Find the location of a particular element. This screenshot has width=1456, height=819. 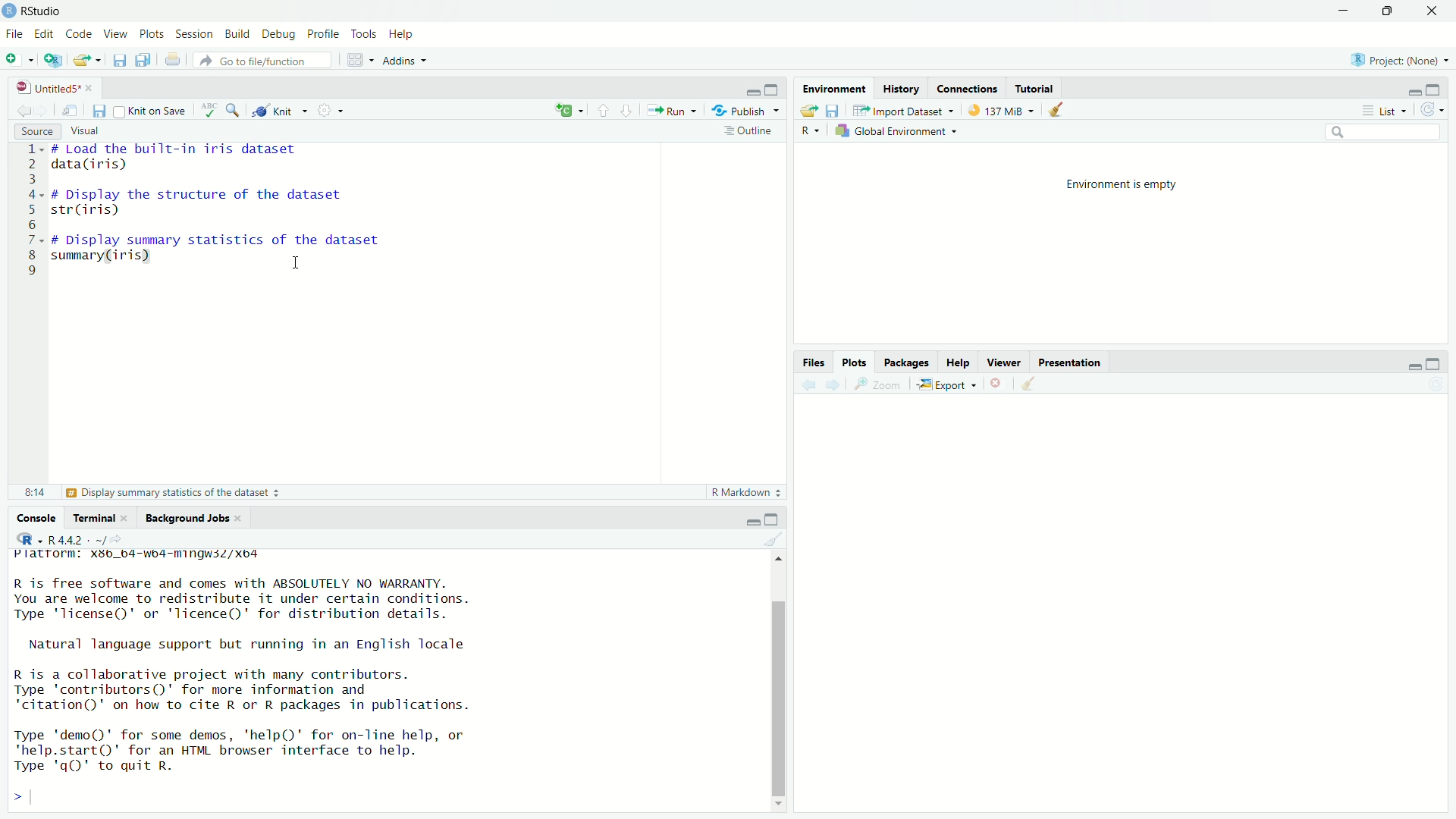

Environment is located at coordinates (834, 89).